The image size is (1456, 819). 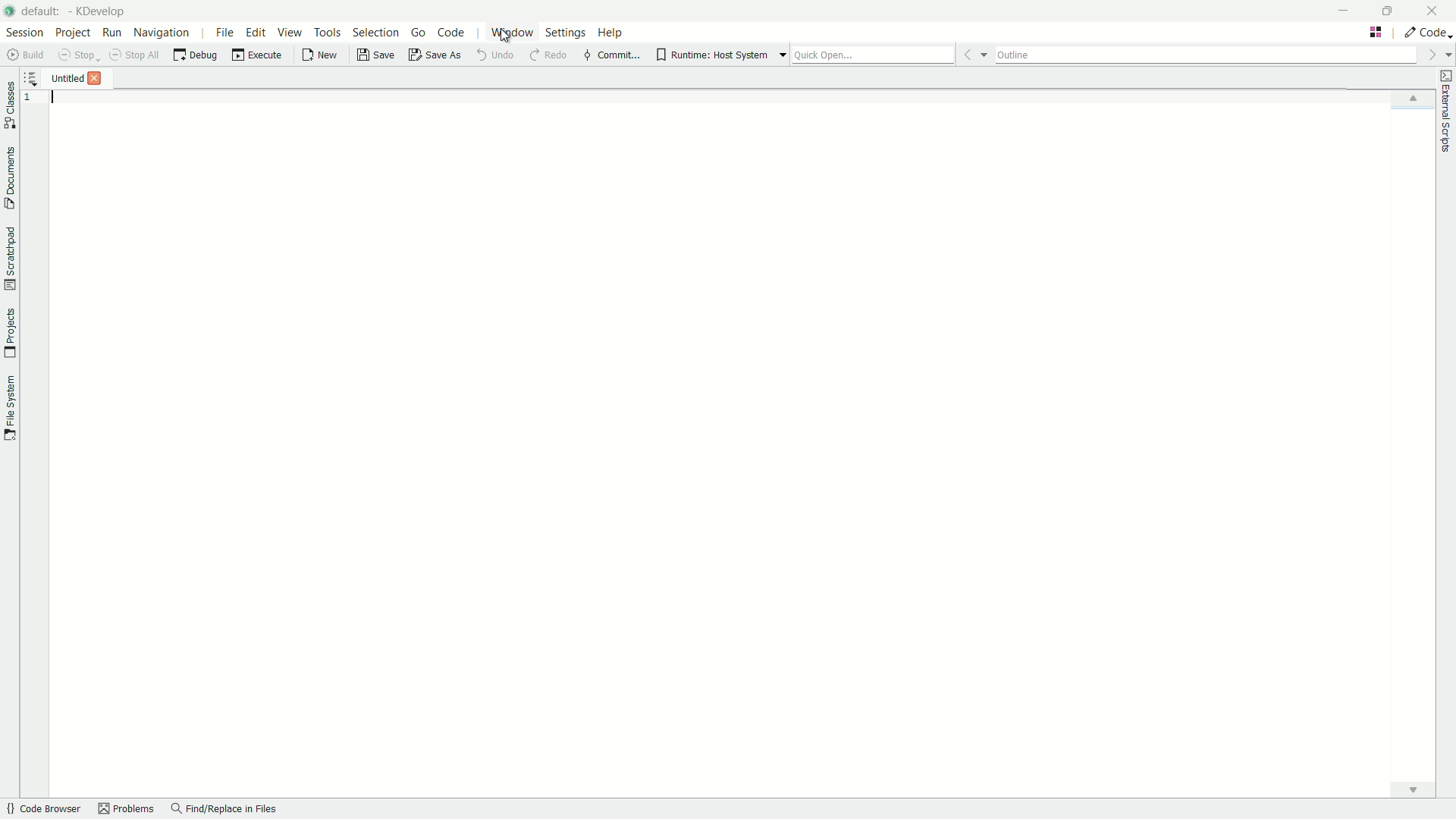 What do you see at coordinates (99, 79) in the screenshot?
I see `close file` at bounding box center [99, 79].